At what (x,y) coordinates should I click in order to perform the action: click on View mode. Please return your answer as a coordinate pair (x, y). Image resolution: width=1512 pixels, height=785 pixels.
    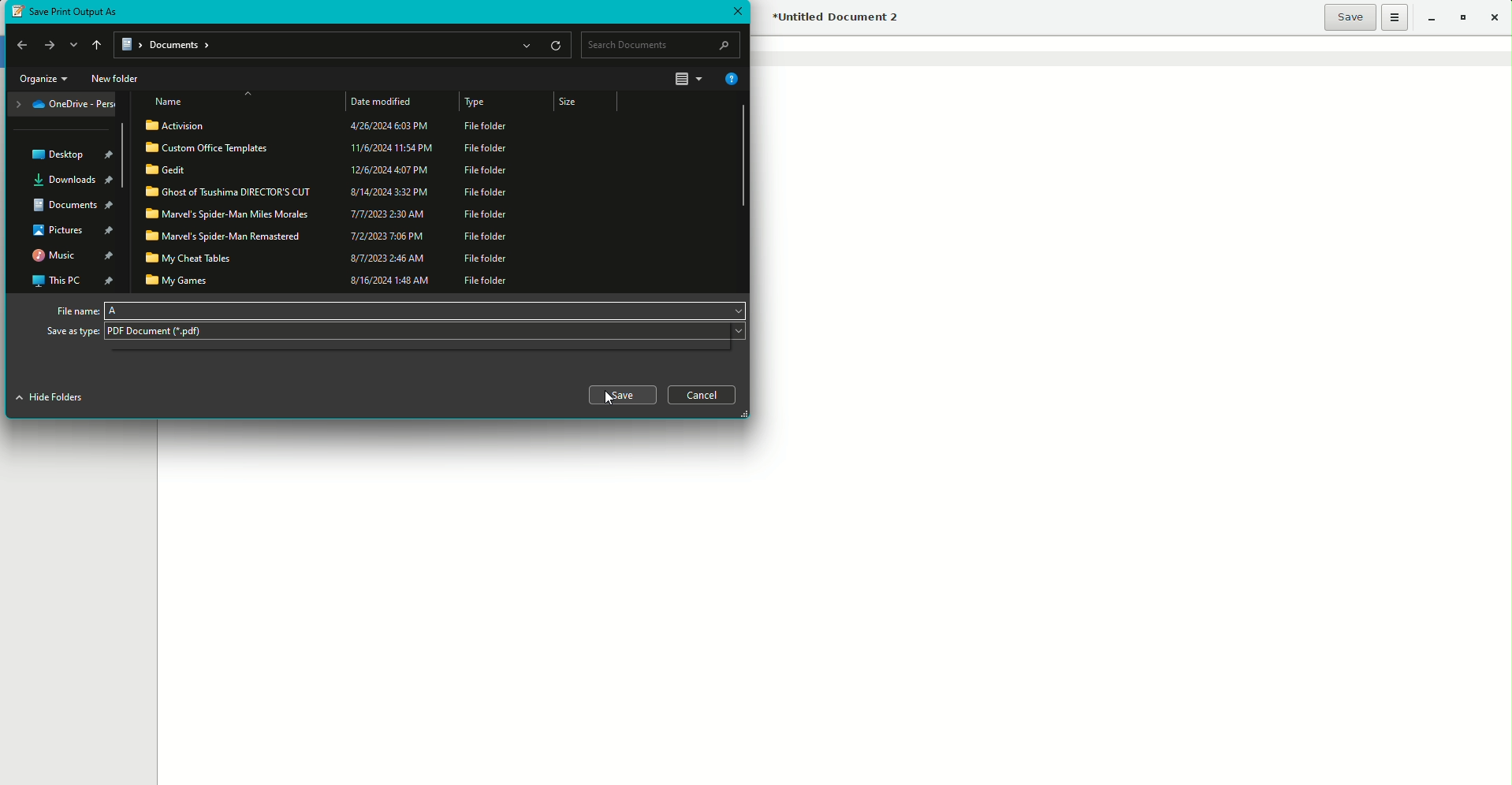
    Looking at the image, I should click on (689, 80).